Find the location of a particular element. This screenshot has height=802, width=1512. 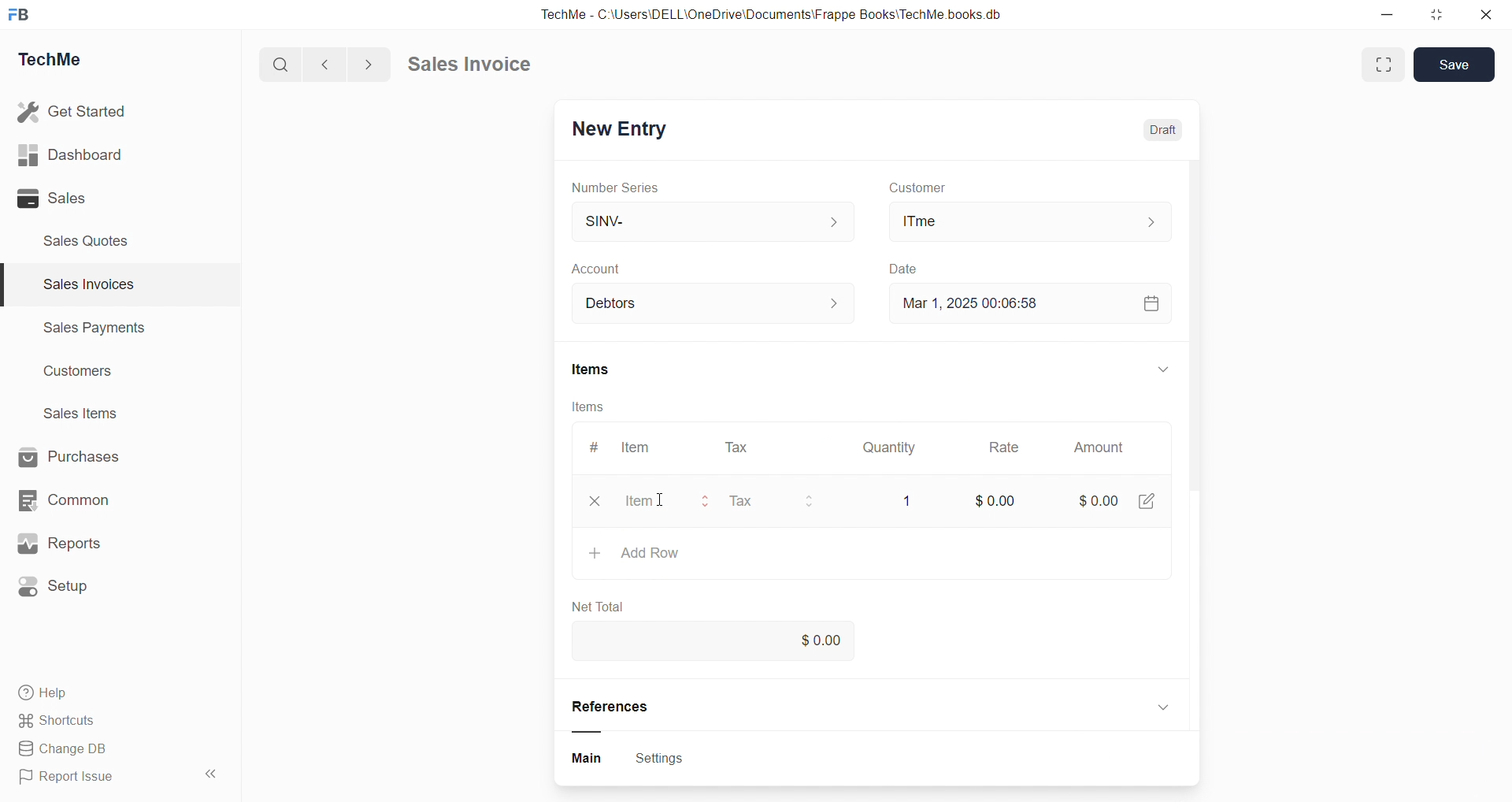

TechMe - C-\Users\DELL\OneDrive\Documents\Frappe Books'TechMe books db is located at coordinates (787, 12).